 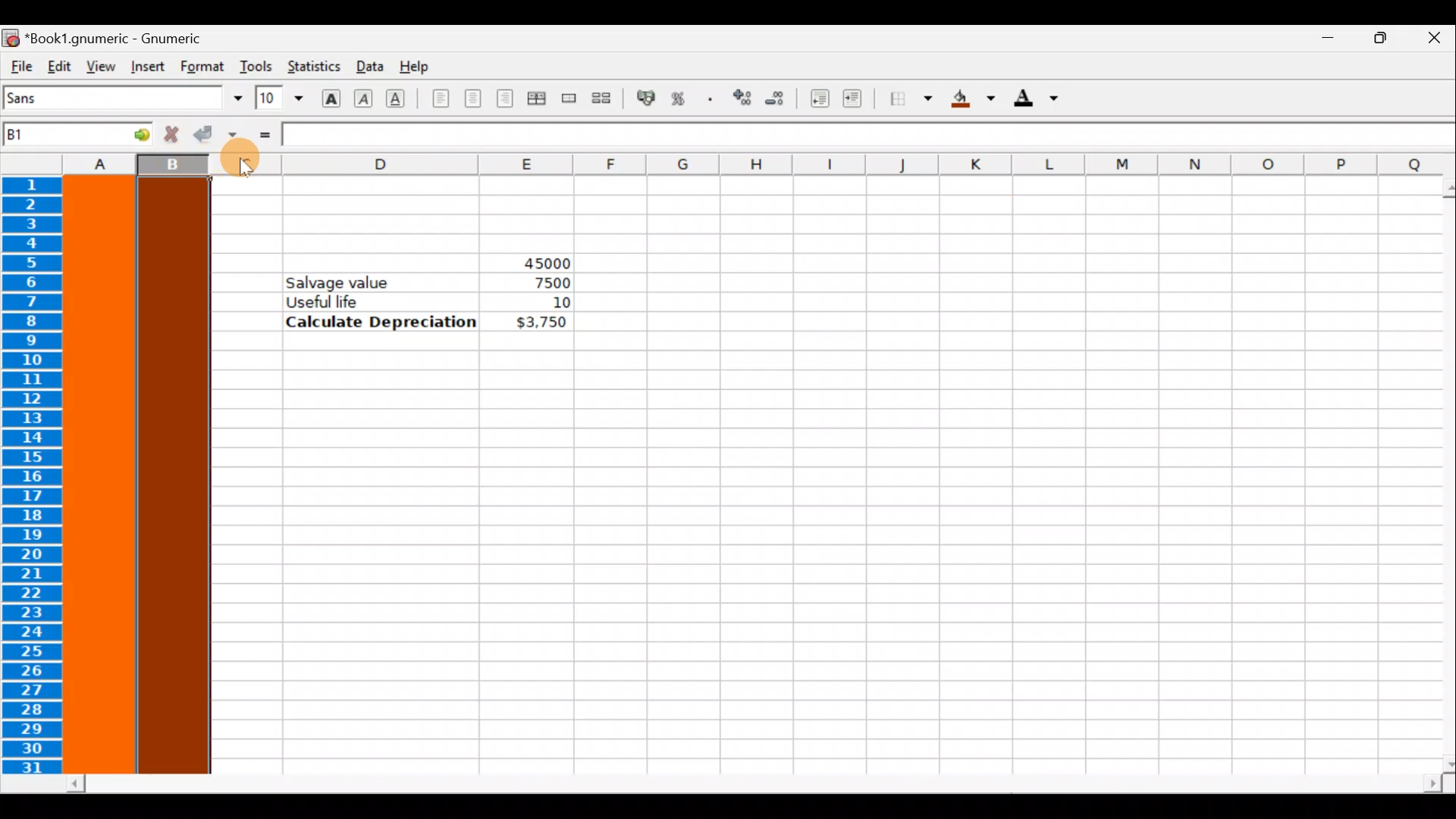 What do you see at coordinates (331, 96) in the screenshot?
I see `Bold` at bounding box center [331, 96].